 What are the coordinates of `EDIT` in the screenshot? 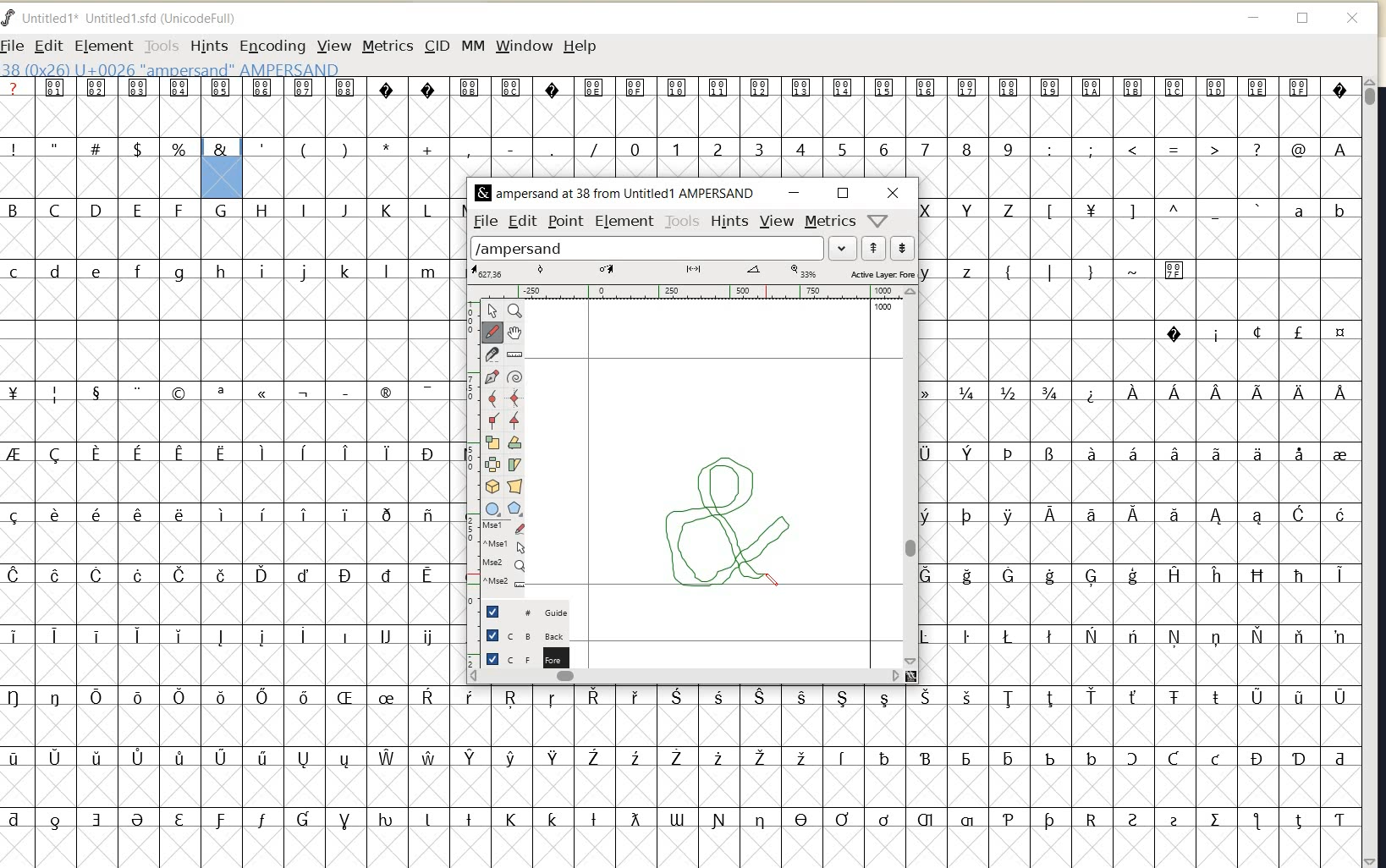 It's located at (521, 222).